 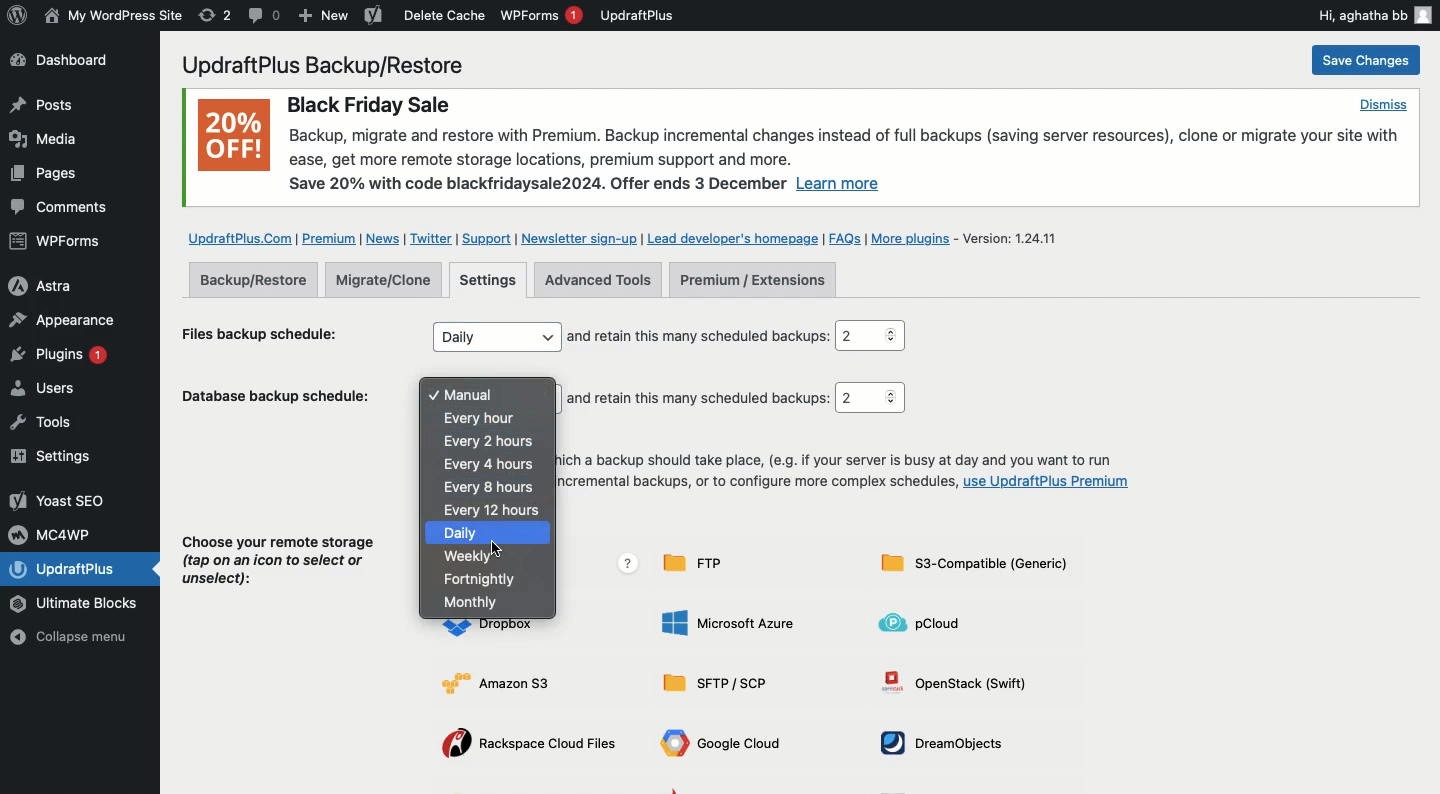 What do you see at coordinates (215, 15) in the screenshot?
I see `Revision` at bounding box center [215, 15].